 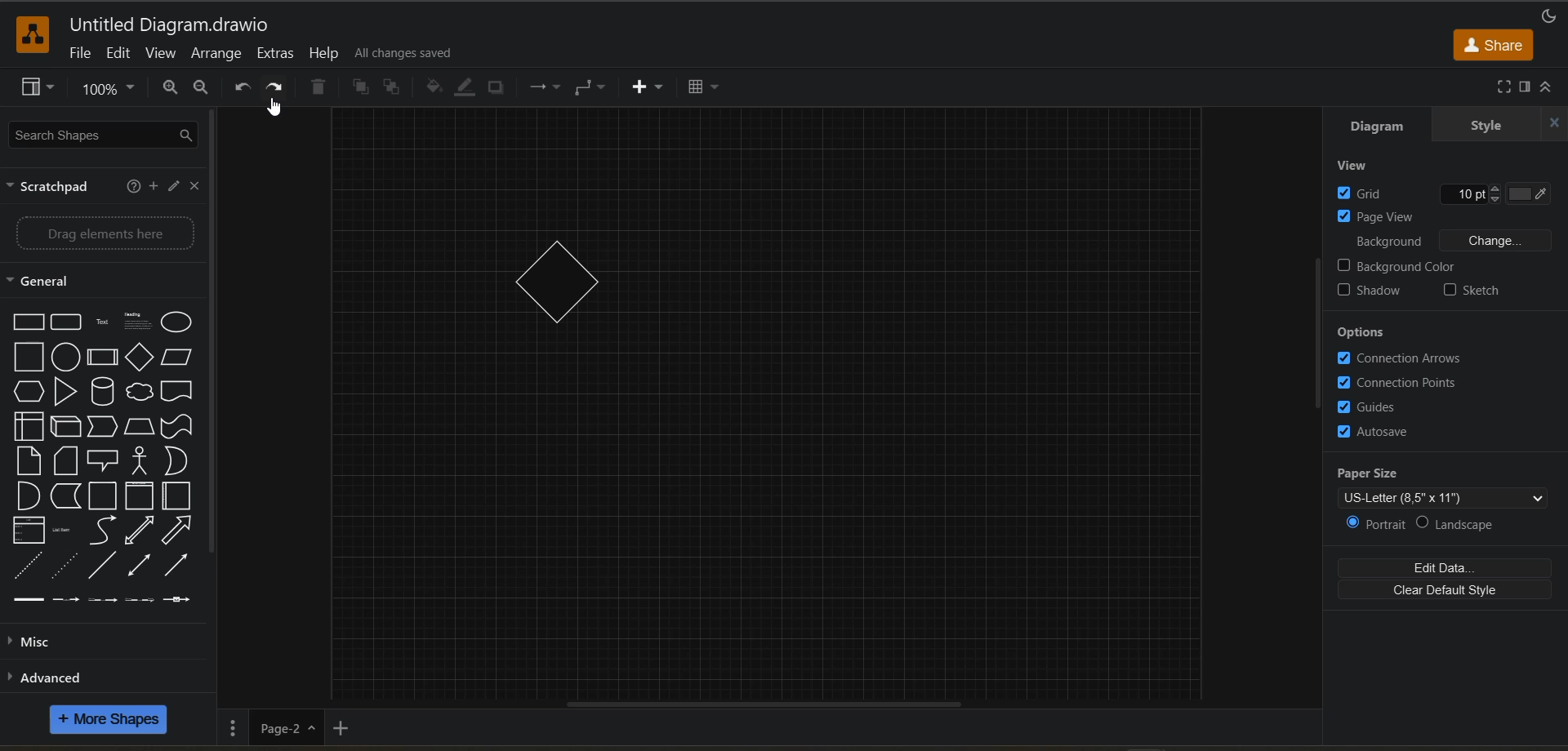 What do you see at coordinates (1379, 129) in the screenshot?
I see `diagram` at bounding box center [1379, 129].